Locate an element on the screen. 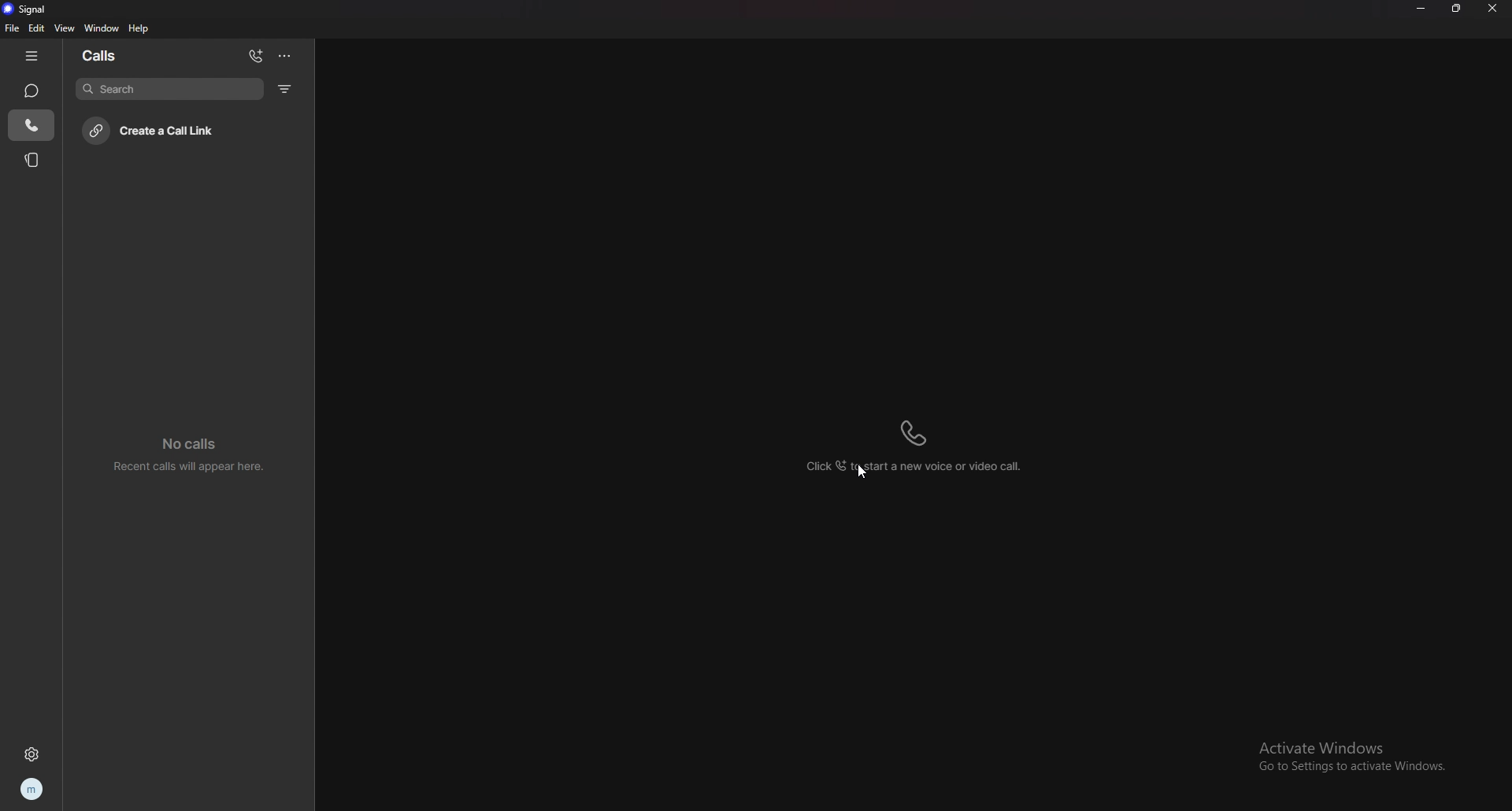 This screenshot has height=811, width=1512. signal is located at coordinates (39, 9).